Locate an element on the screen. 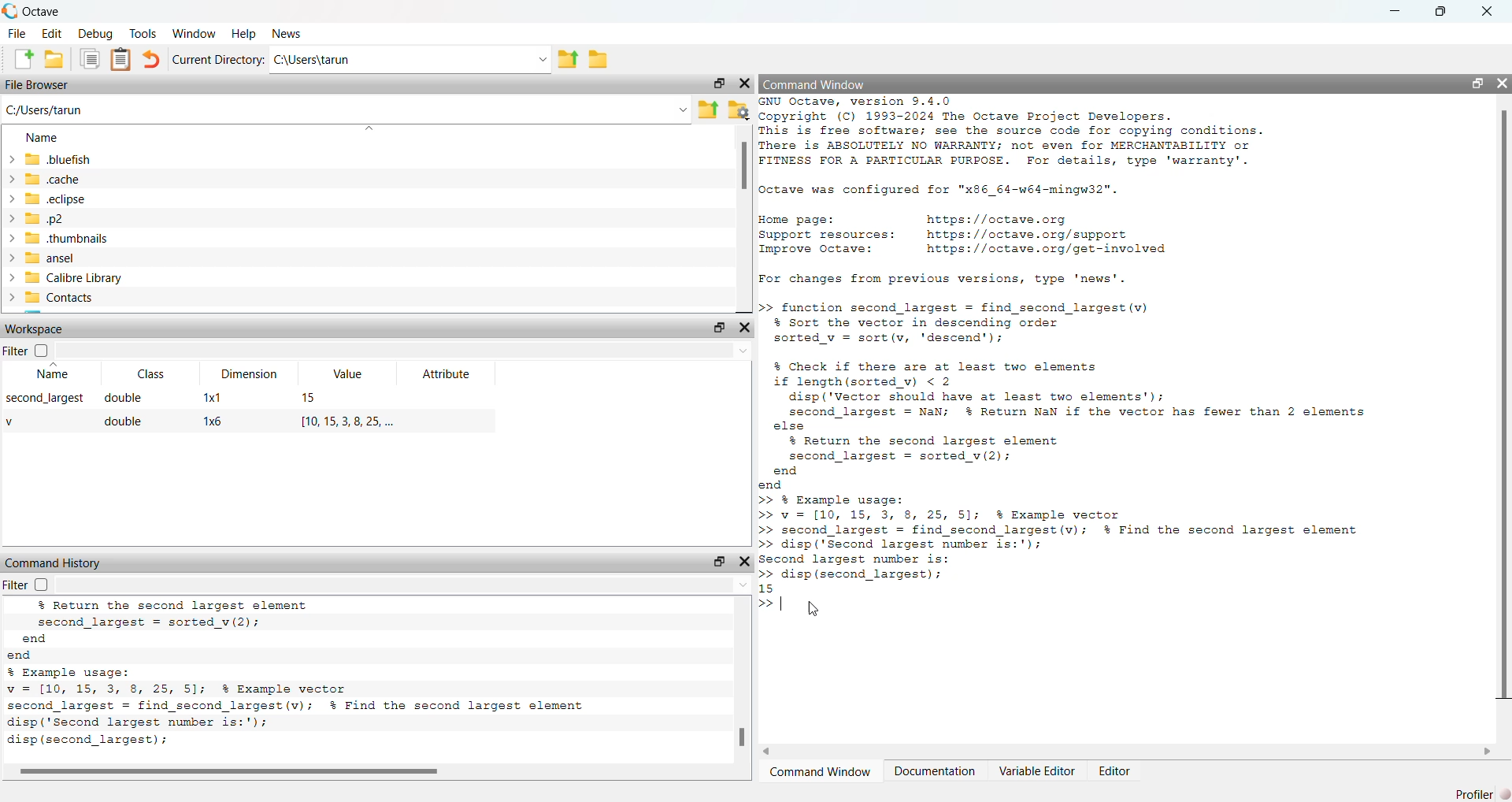  details of octave version and copyright is located at coordinates (1043, 134).